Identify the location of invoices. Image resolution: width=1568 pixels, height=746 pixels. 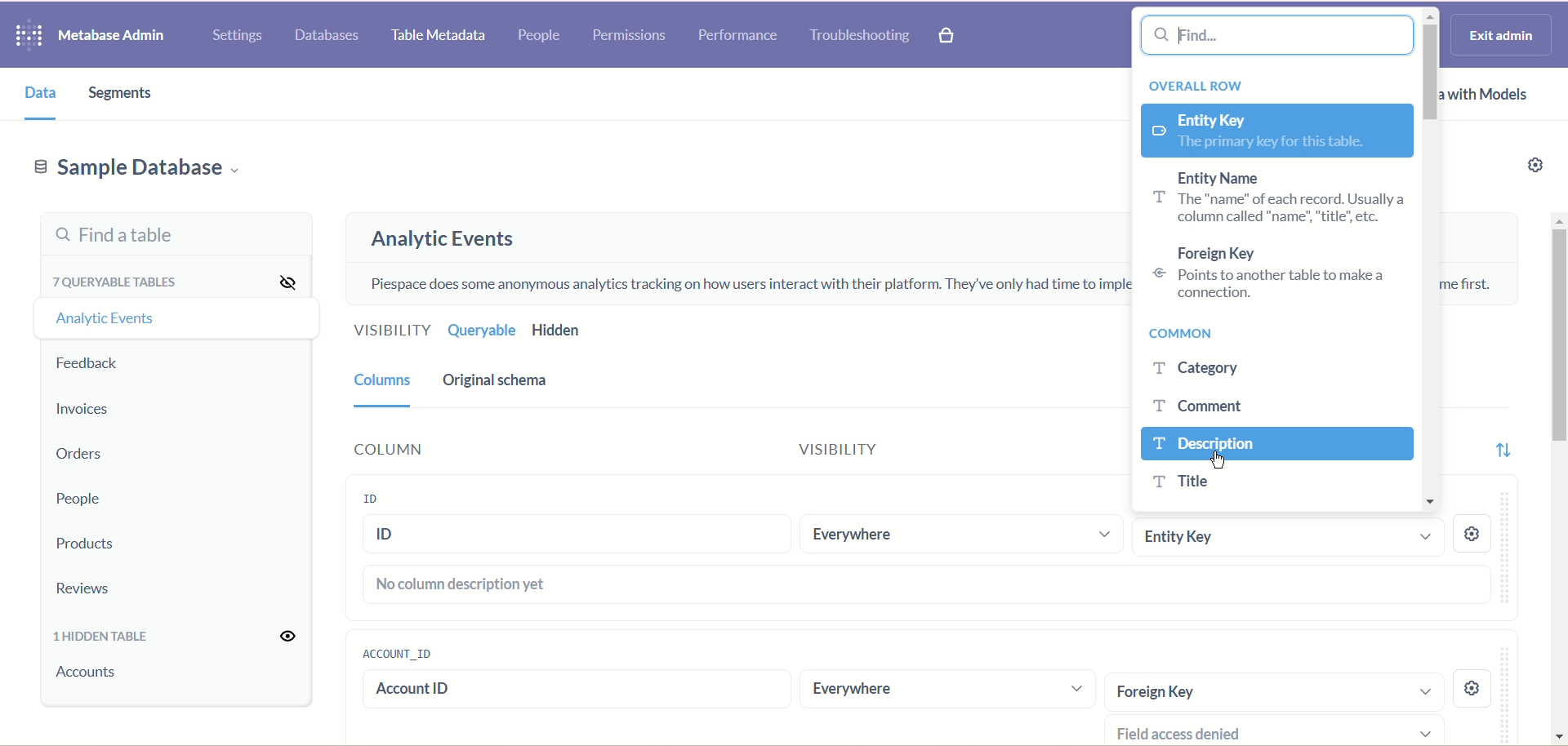
(82, 409).